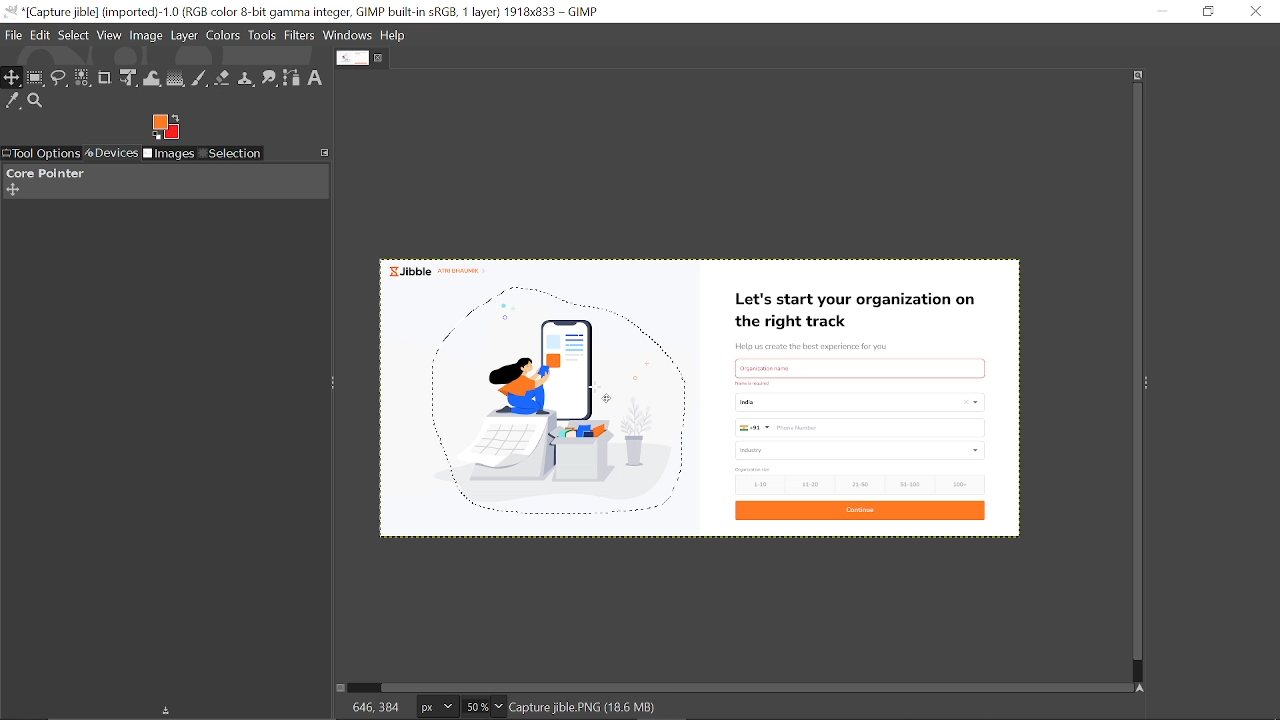 The width and height of the screenshot is (1280, 720). Describe the element at coordinates (36, 101) in the screenshot. I see `Zoom tool` at that location.